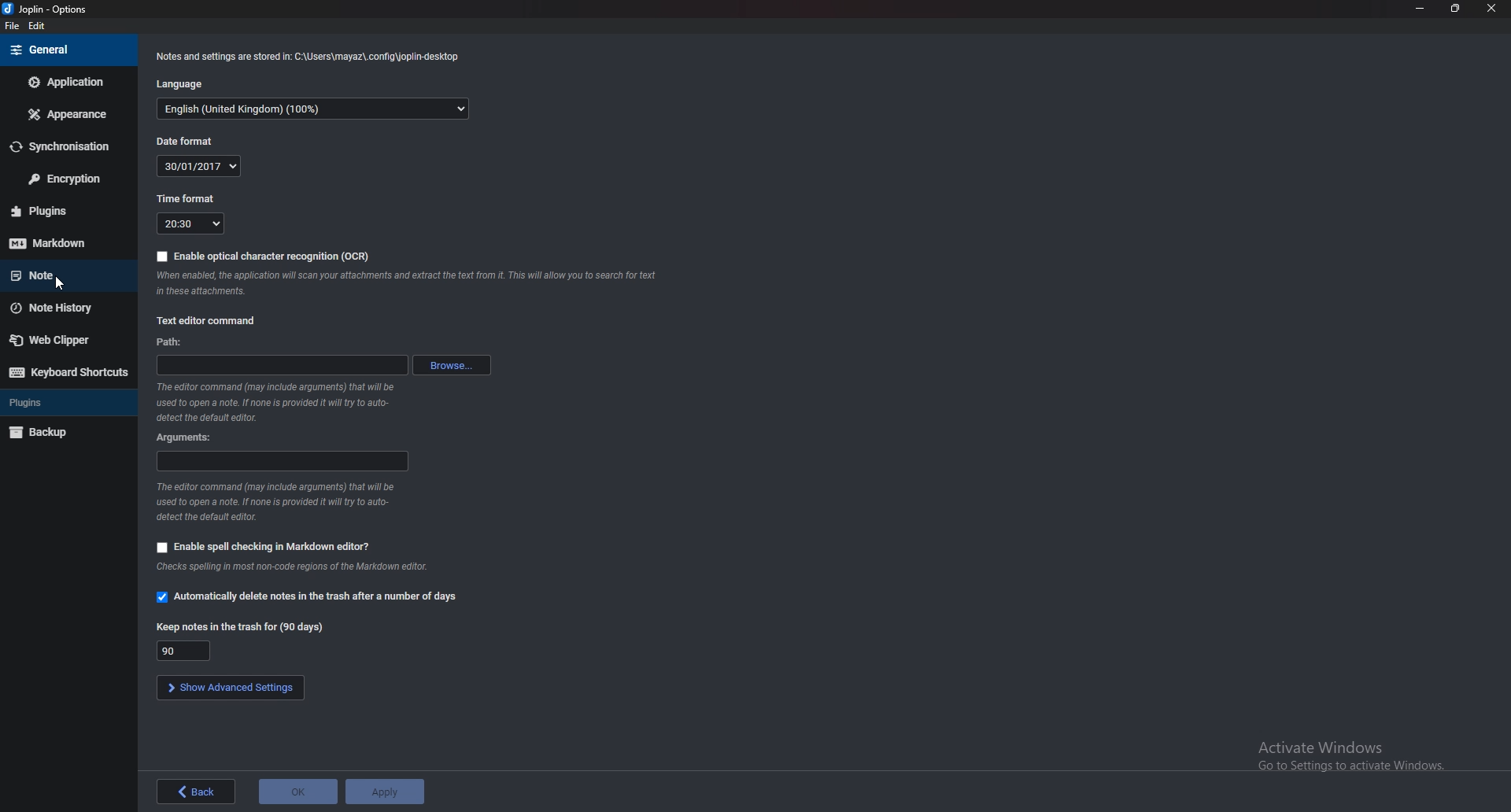 Image resolution: width=1511 pixels, height=812 pixels. What do you see at coordinates (1420, 8) in the screenshot?
I see `Minimize` at bounding box center [1420, 8].